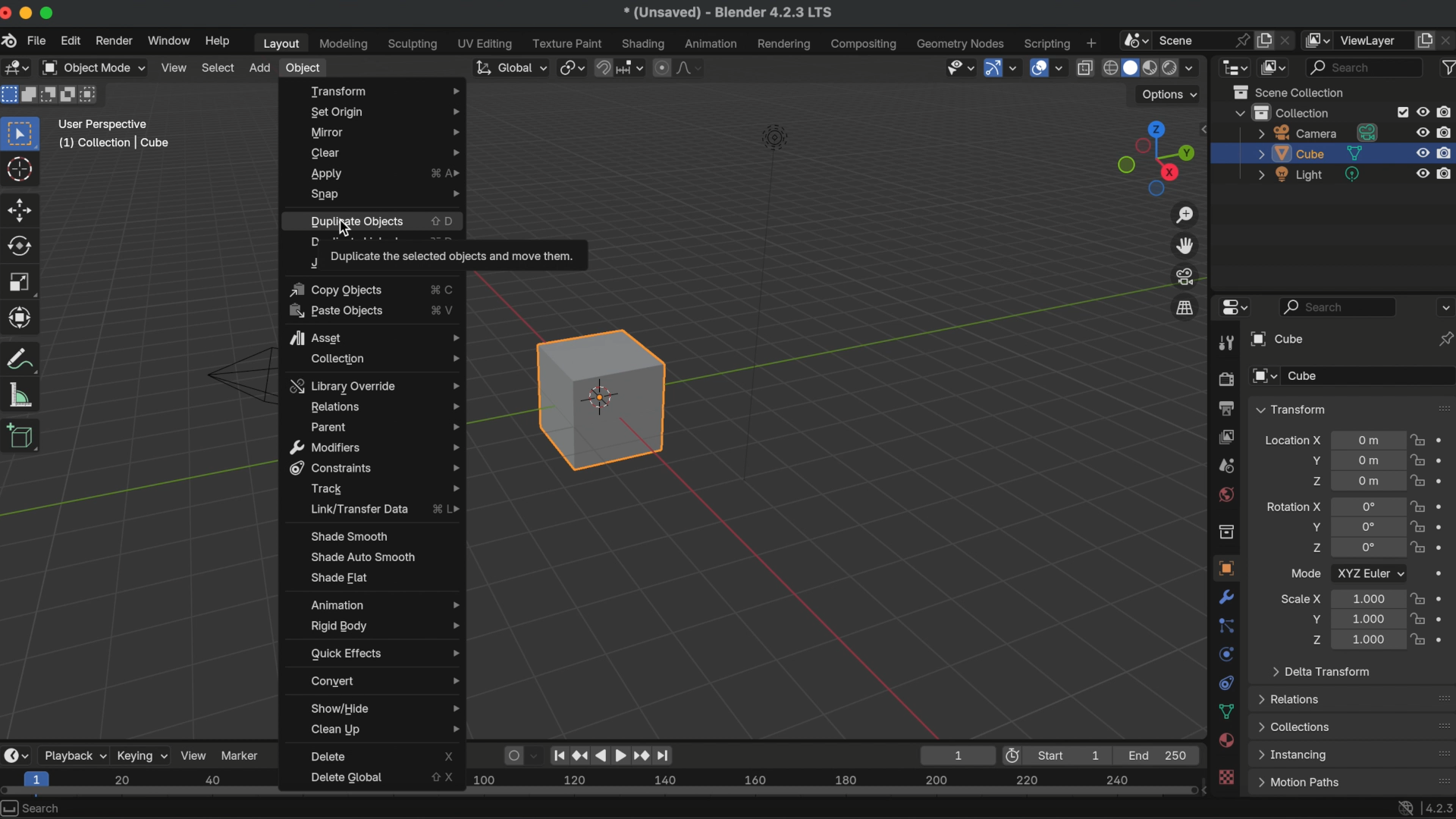 This screenshot has width=1456, height=819. Describe the element at coordinates (1232, 308) in the screenshot. I see `editor type` at that location.